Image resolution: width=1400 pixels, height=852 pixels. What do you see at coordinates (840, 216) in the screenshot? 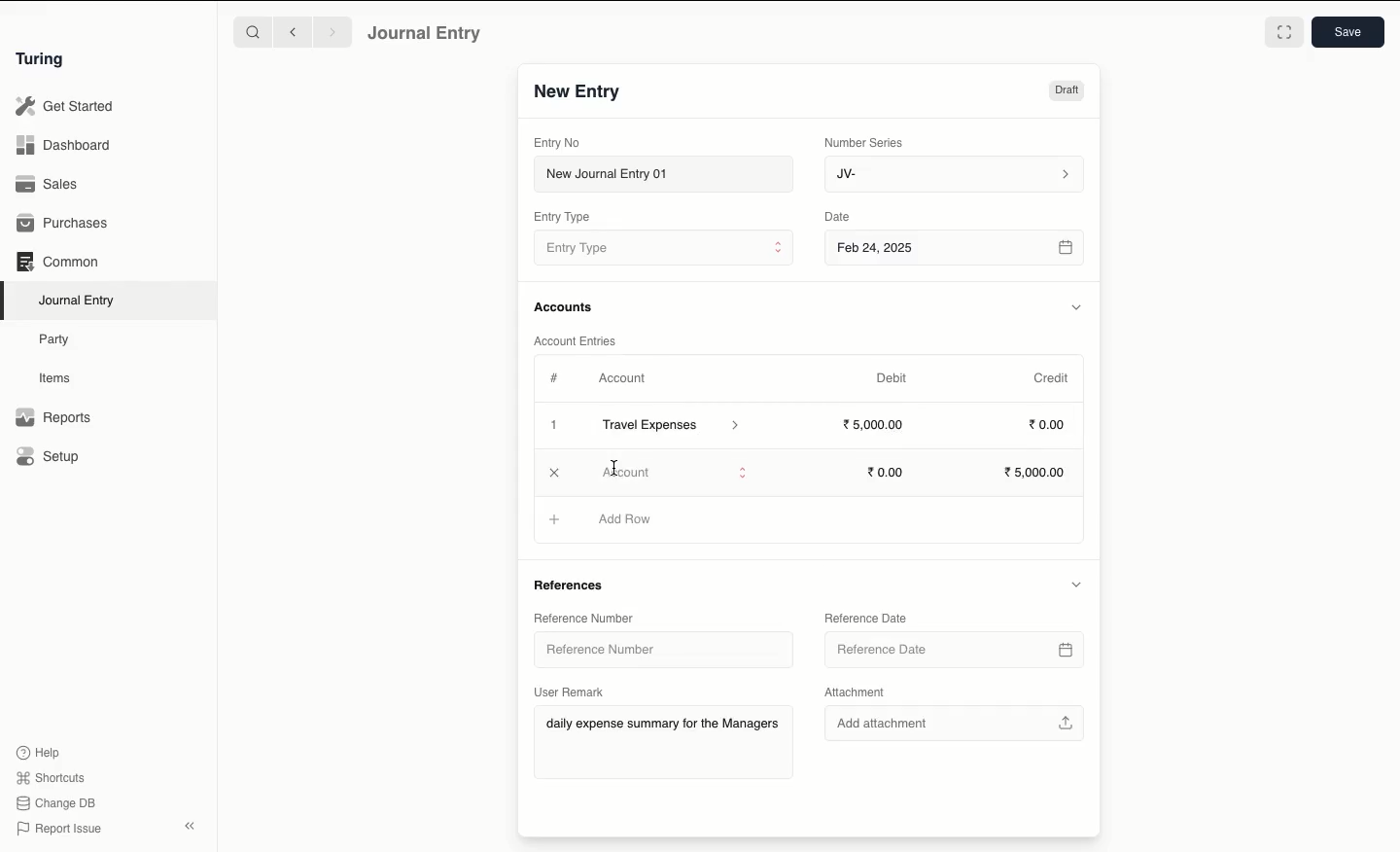
I see `Date` at bounding box center [840, 216].